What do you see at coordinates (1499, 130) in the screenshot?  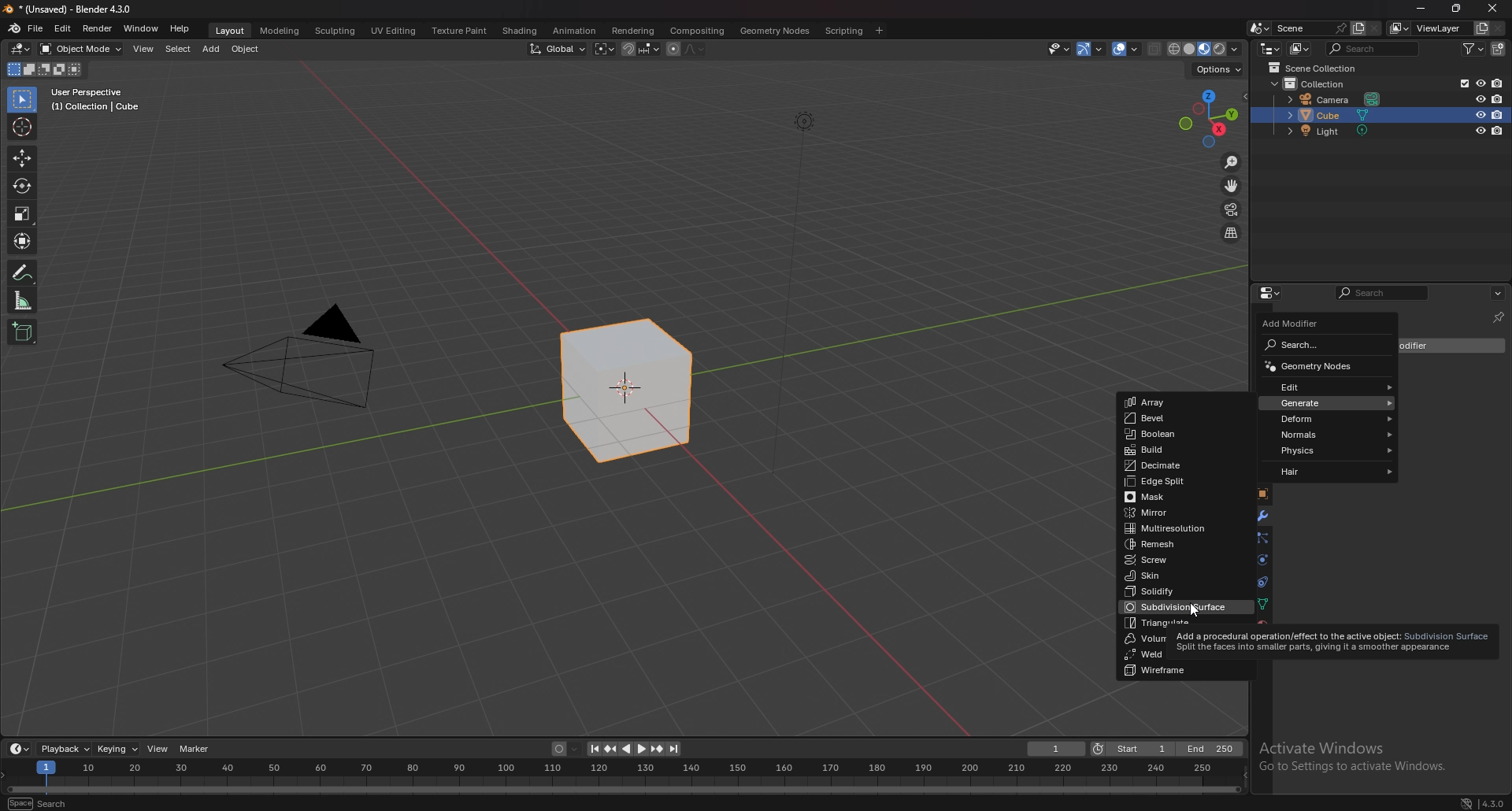 I see `disable in renders` at bounding box center [1499, 130].